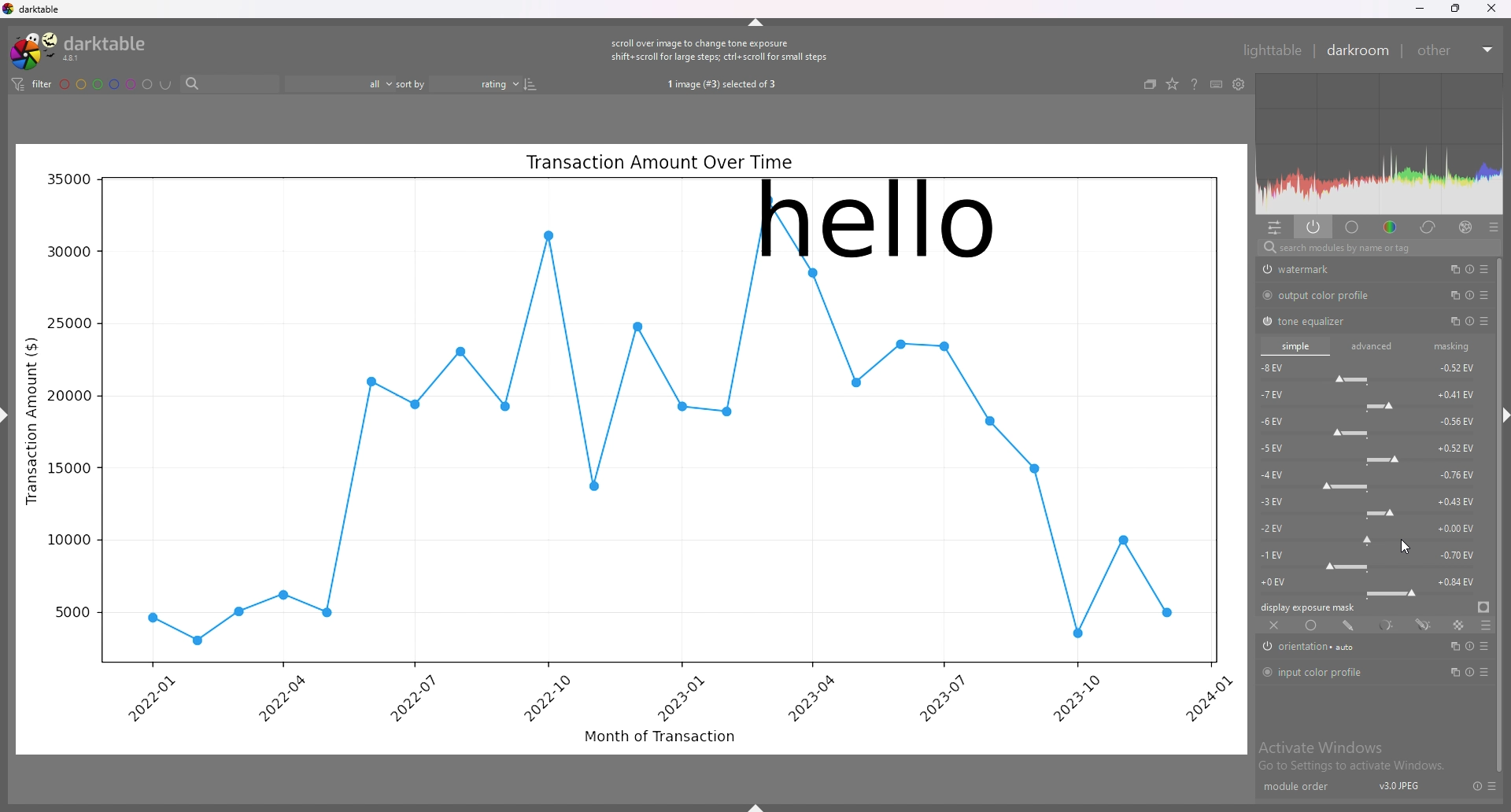  I want to click on drawn and parametric mask, so click(1422, 624).